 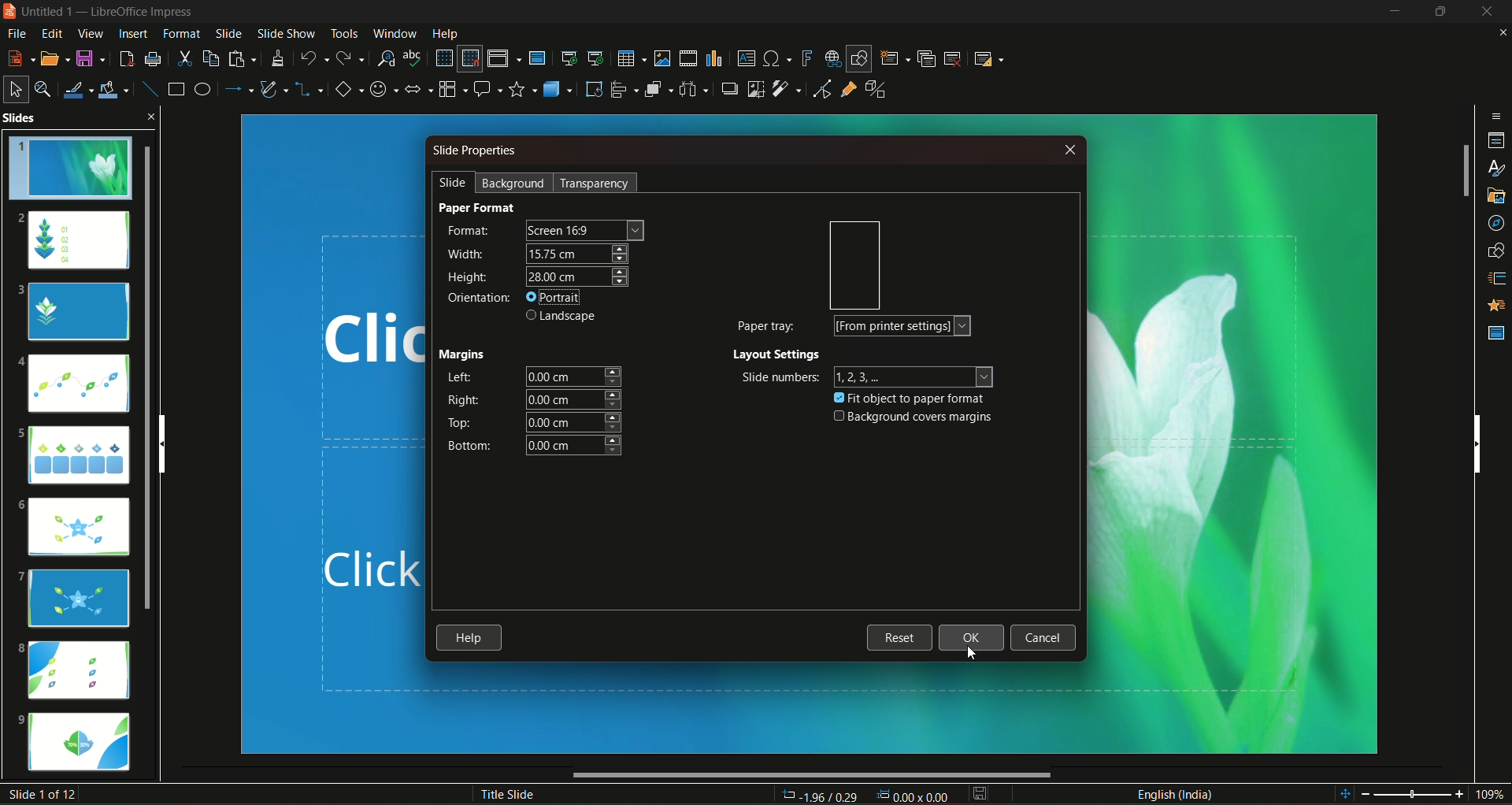 What do you see at coordinates (1495, 332) in the screenshot?
I see `master slides ` at bounding box center [1495, 332].